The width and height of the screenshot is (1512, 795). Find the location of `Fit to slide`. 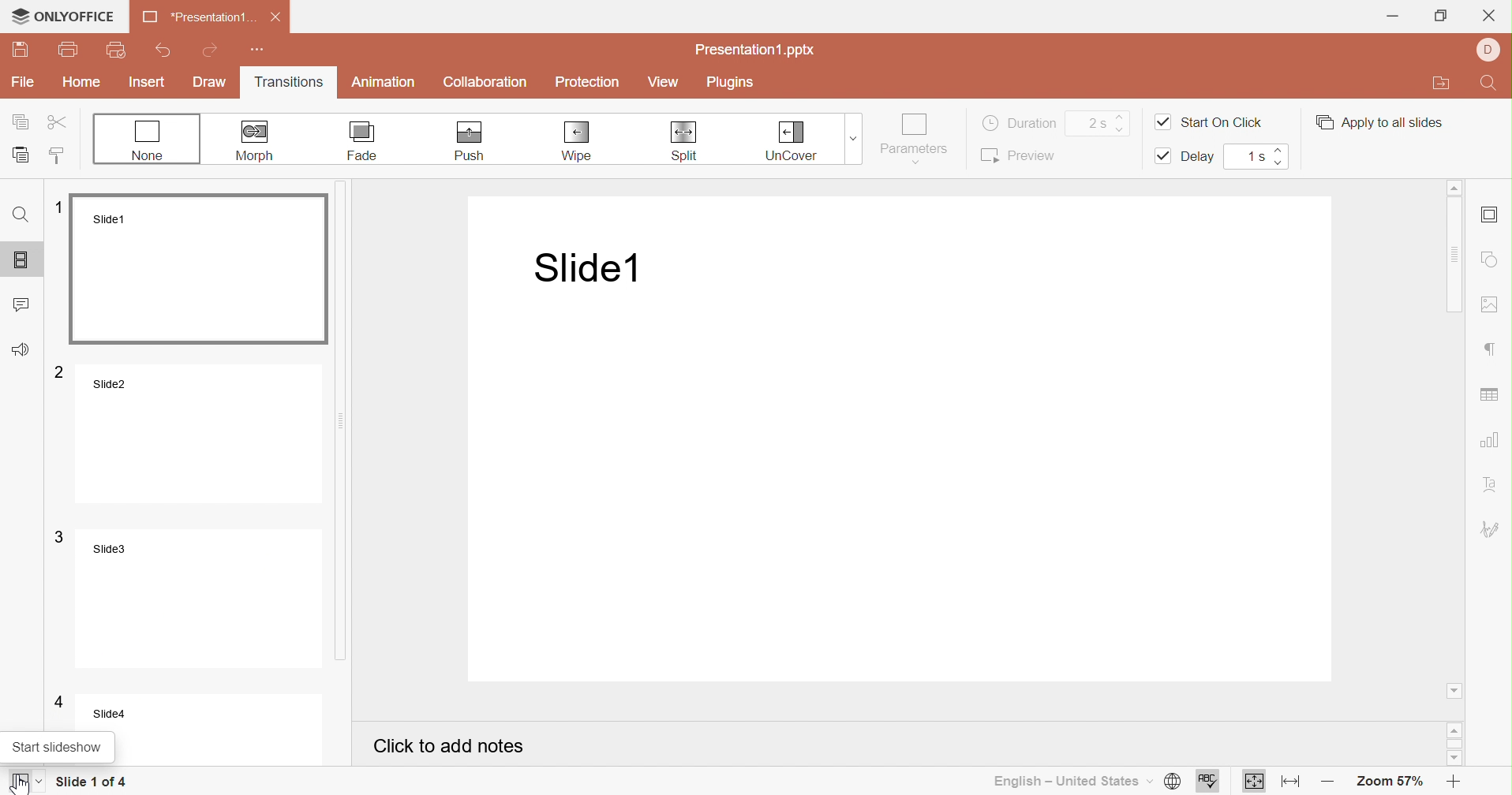

Fit to slide is located at coordinates (1255, 783).